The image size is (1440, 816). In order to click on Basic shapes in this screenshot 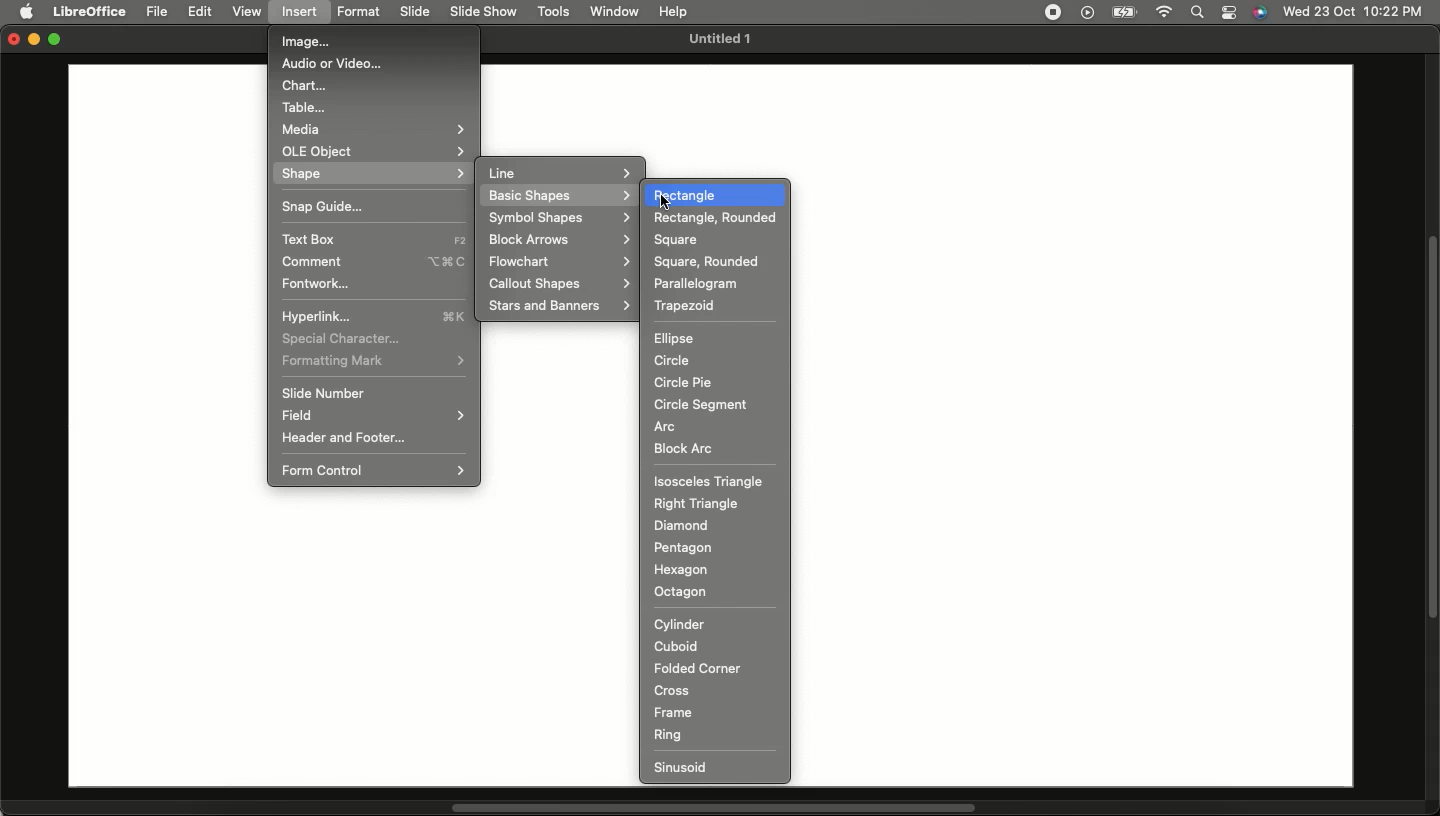, I will do `click(559, 195)`.